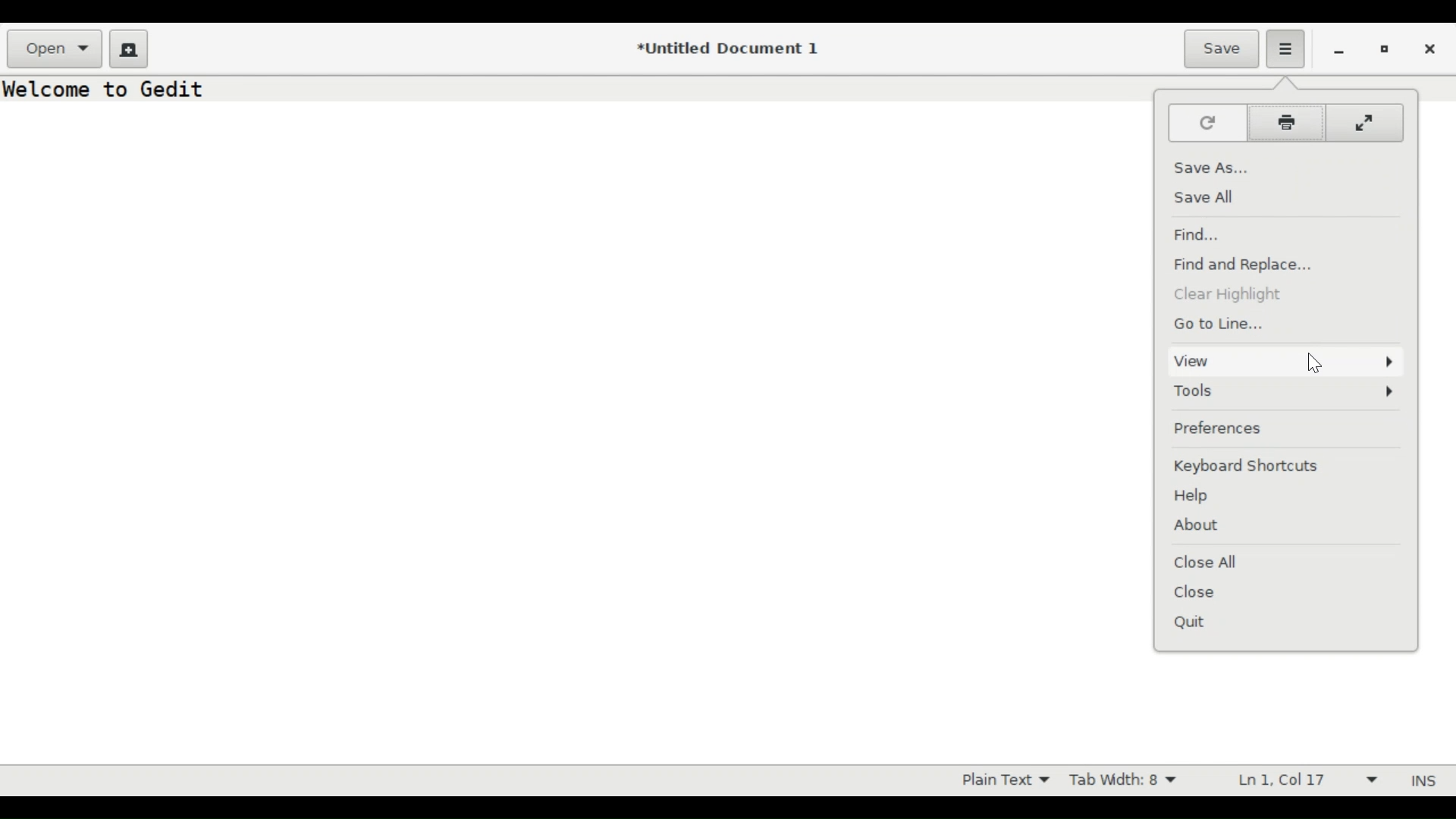 This screenshot has width=1456, height=819. Describe the element at coordinates (1003, 780) in the screenshot. I see `Highlight mode option` at that location.